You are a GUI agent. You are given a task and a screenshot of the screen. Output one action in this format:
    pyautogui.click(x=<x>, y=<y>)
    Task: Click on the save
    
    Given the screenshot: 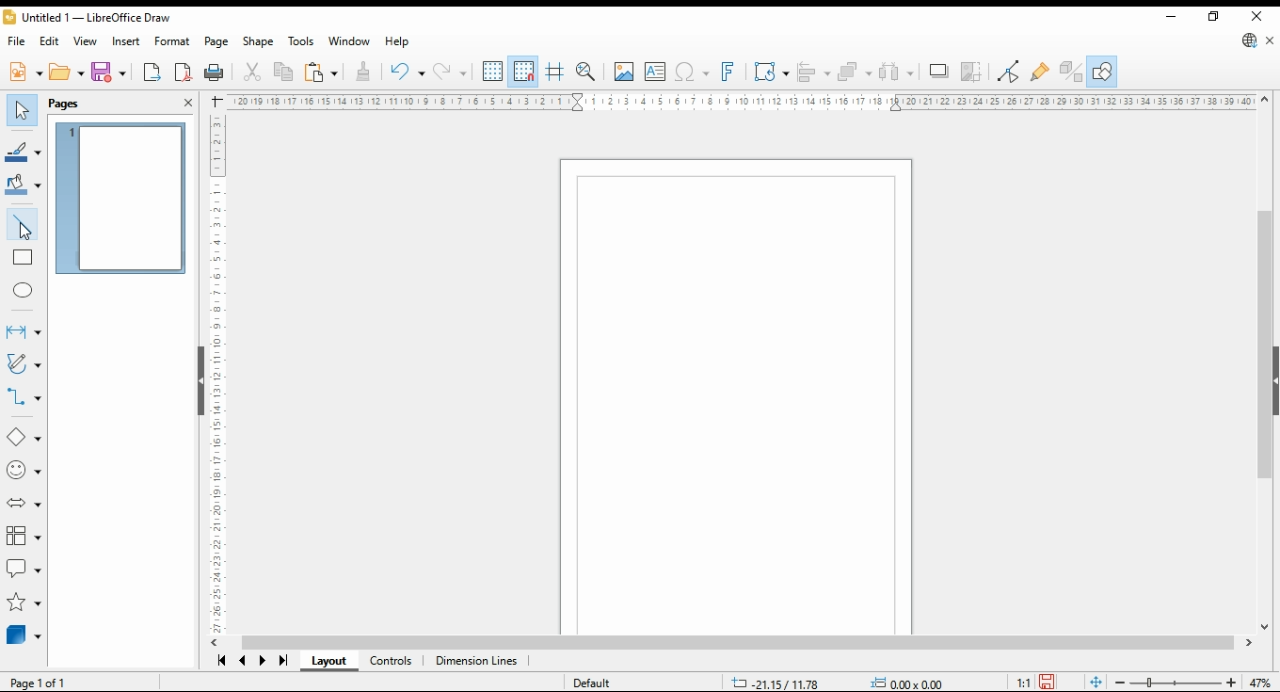 What is the action you would take?
    pyautogui.click(x=109, y=71)
    